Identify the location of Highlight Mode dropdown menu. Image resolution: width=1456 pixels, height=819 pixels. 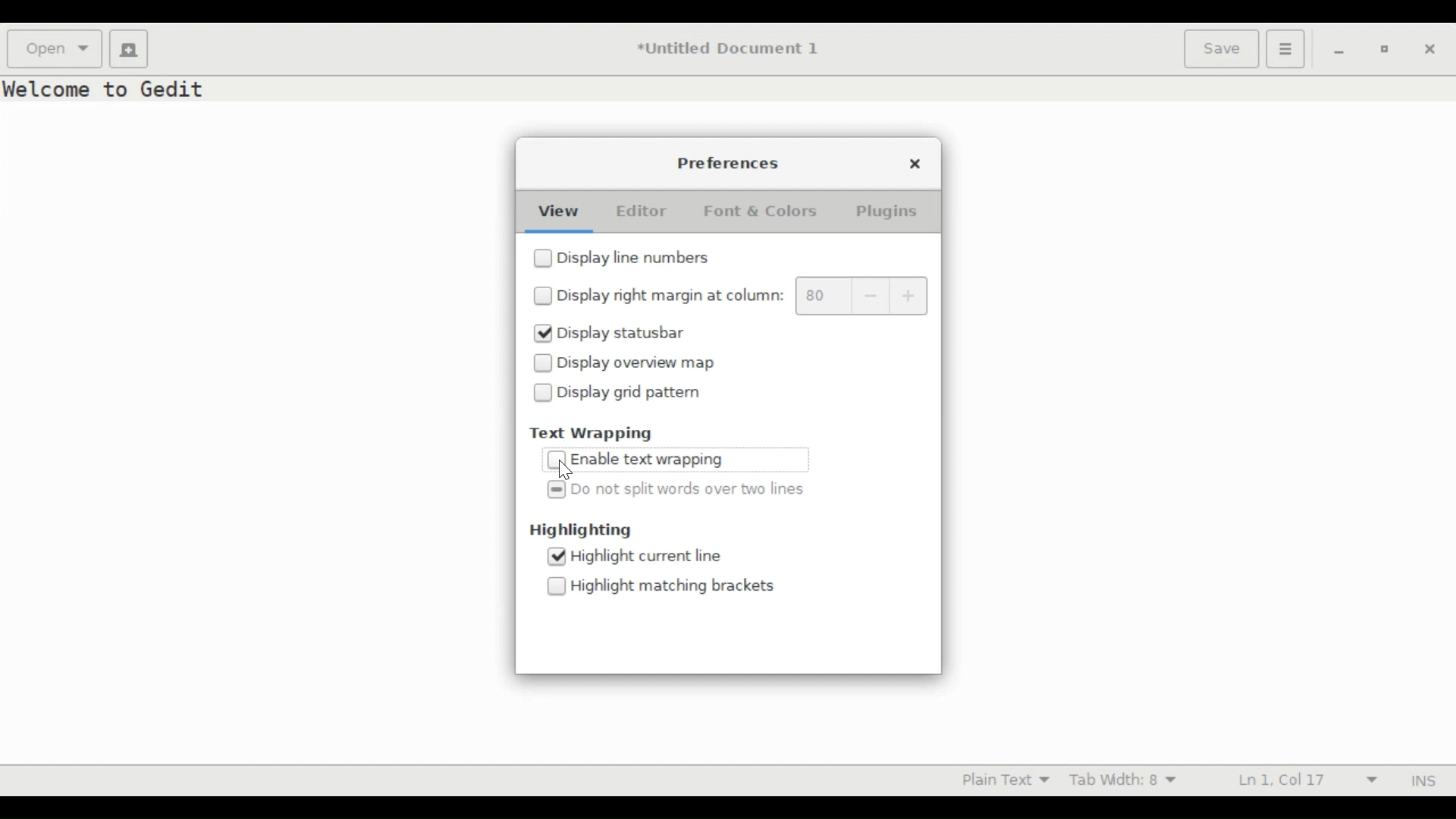
(1013, 780).